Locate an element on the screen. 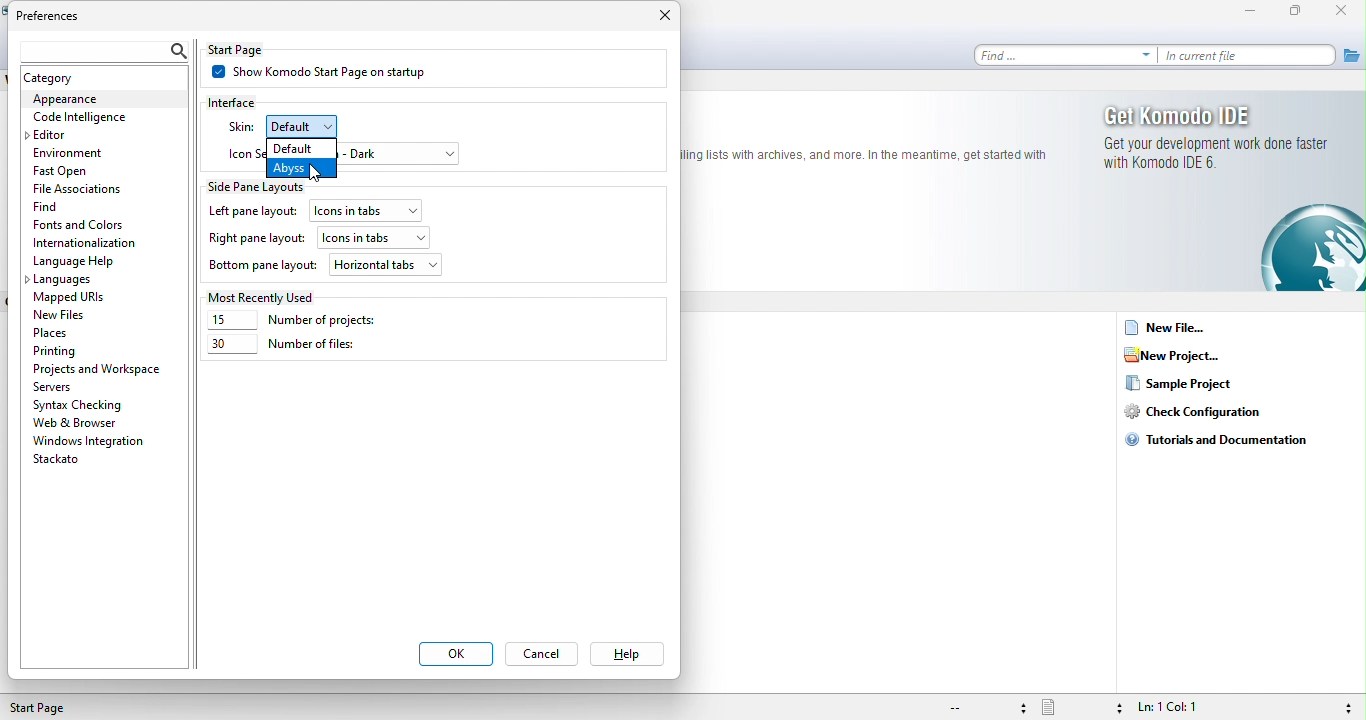  stackato is located at coordinates (62, 461).